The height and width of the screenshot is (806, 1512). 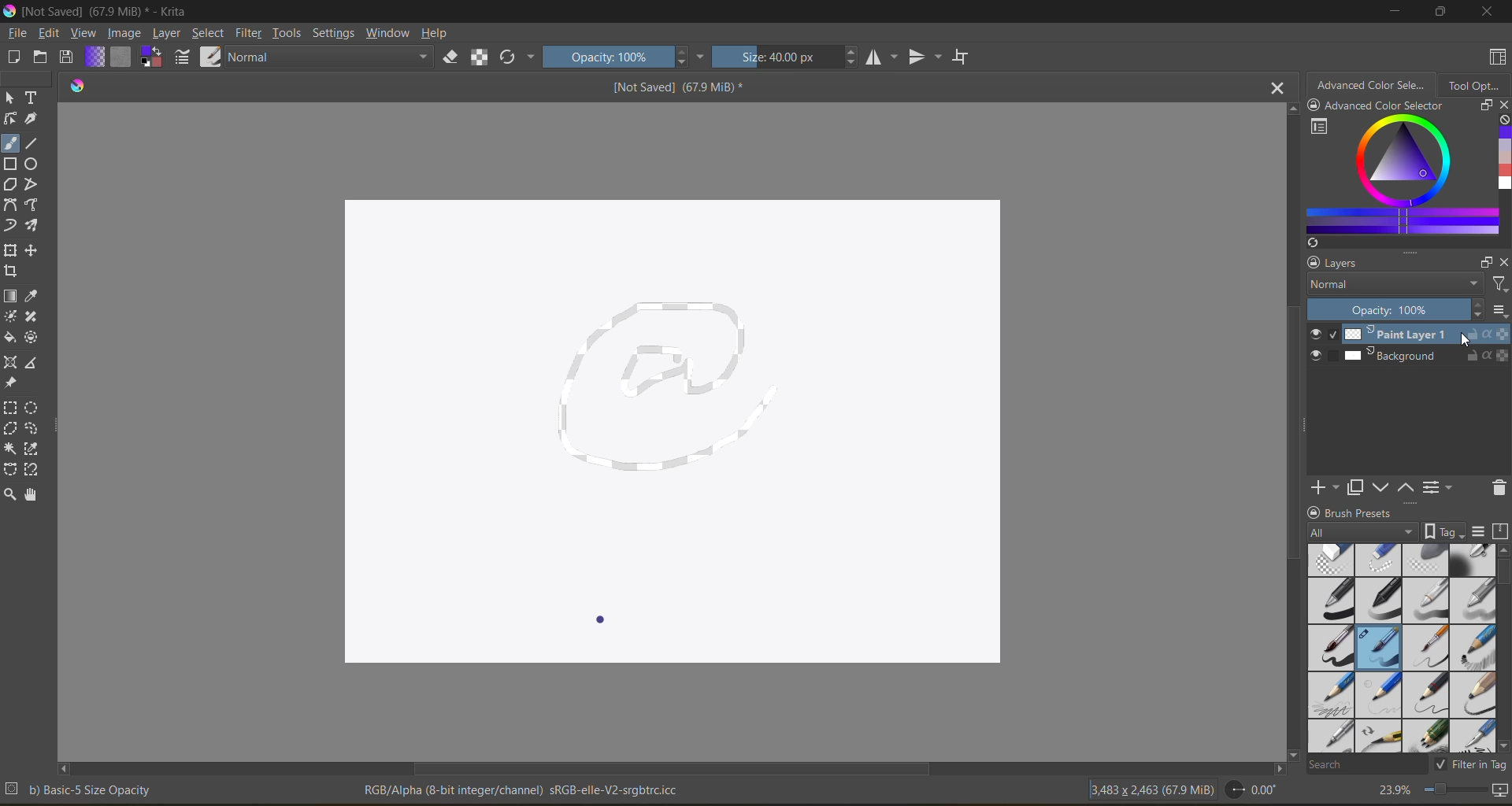 What do you see at coordinates (1503, 261) in the screenshot?
I see `close docker` at bounding box center [1503, 261].